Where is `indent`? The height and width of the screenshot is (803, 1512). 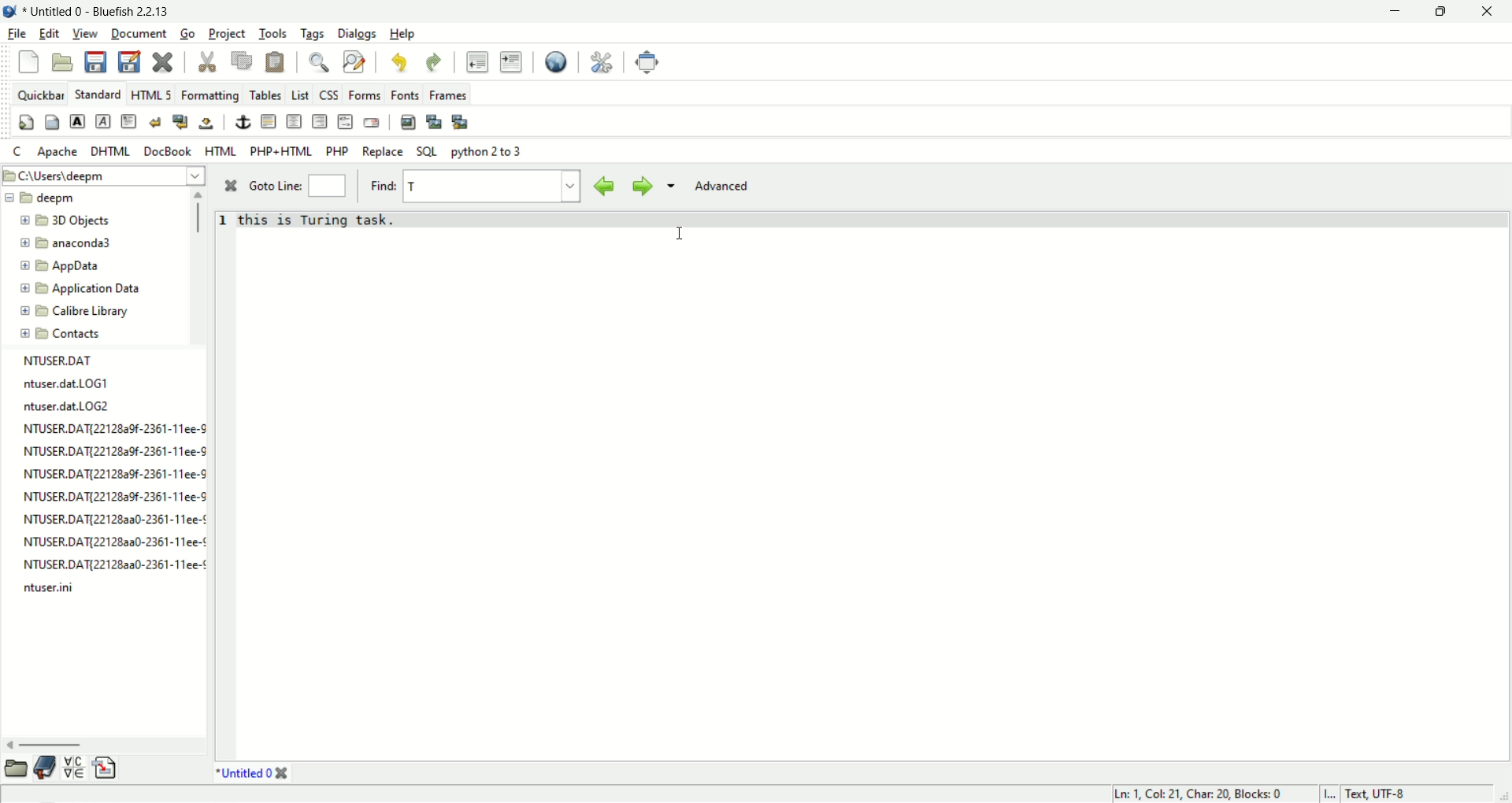
indent is located at coordinates (511, 62).